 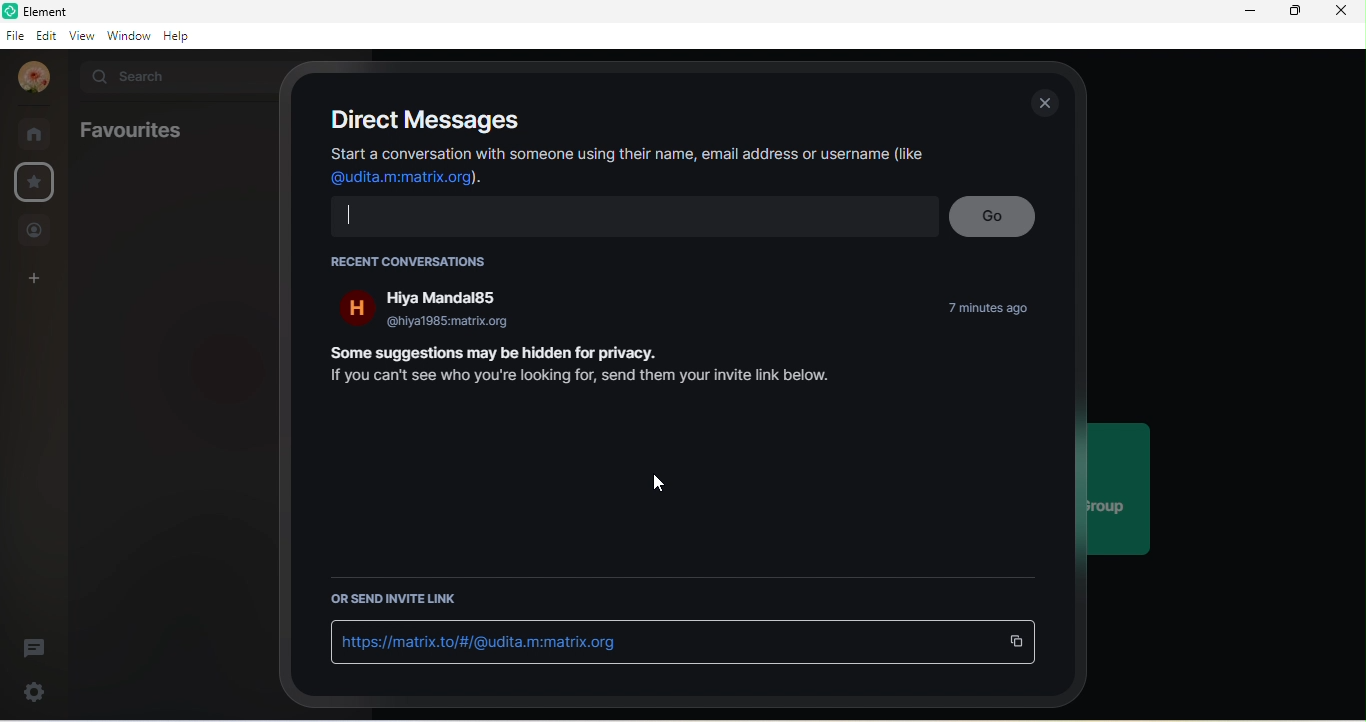 What do you see at coordinates (173, 79) in the screenshot?
I see `search` at bounding box center [173, 79].